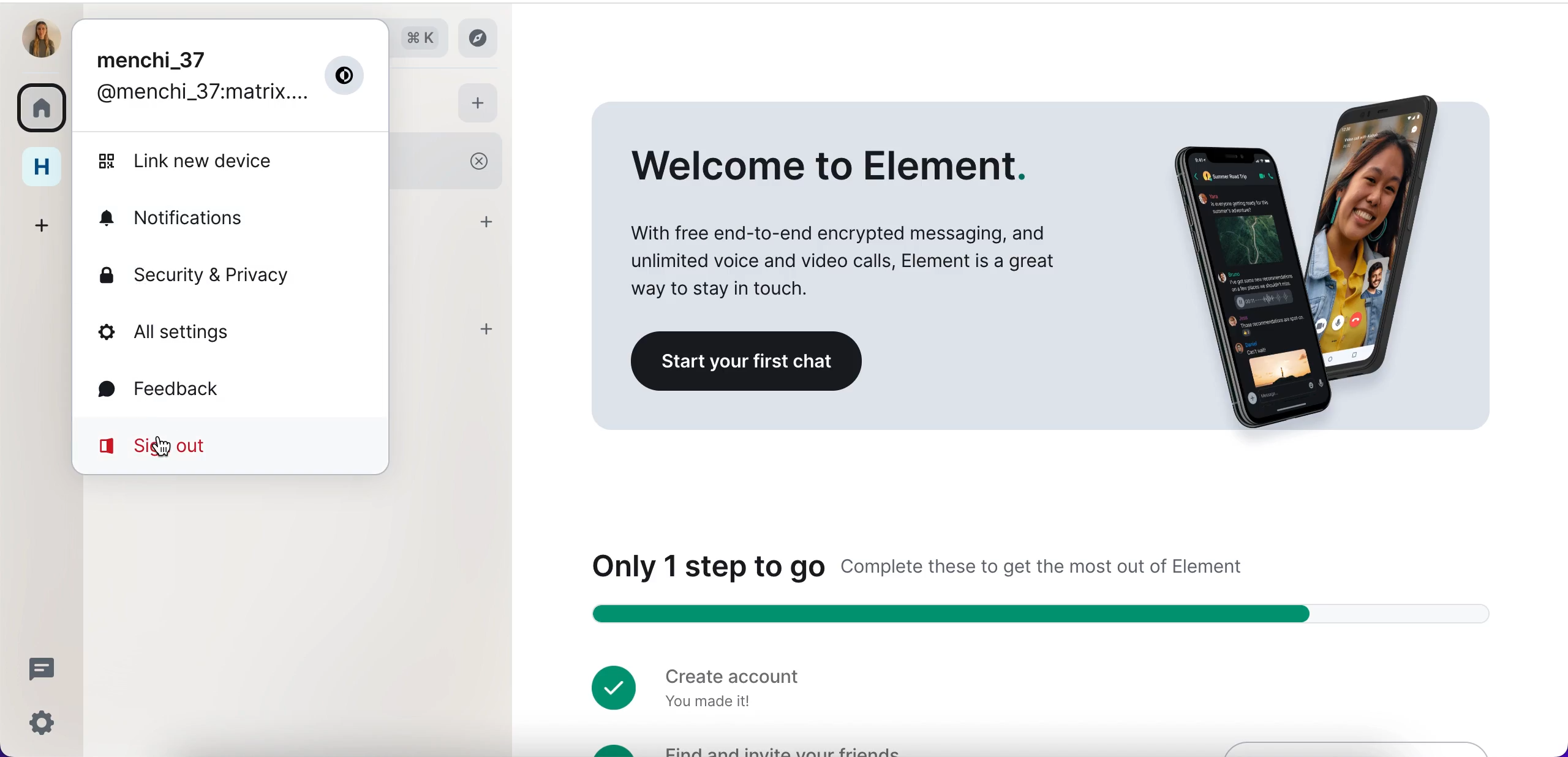 Image resolution: width=1568 pixels, height=757 pixels. Describe the element at coordinates (752, 362) in the screenshot. I see `start your first chat` at that location.